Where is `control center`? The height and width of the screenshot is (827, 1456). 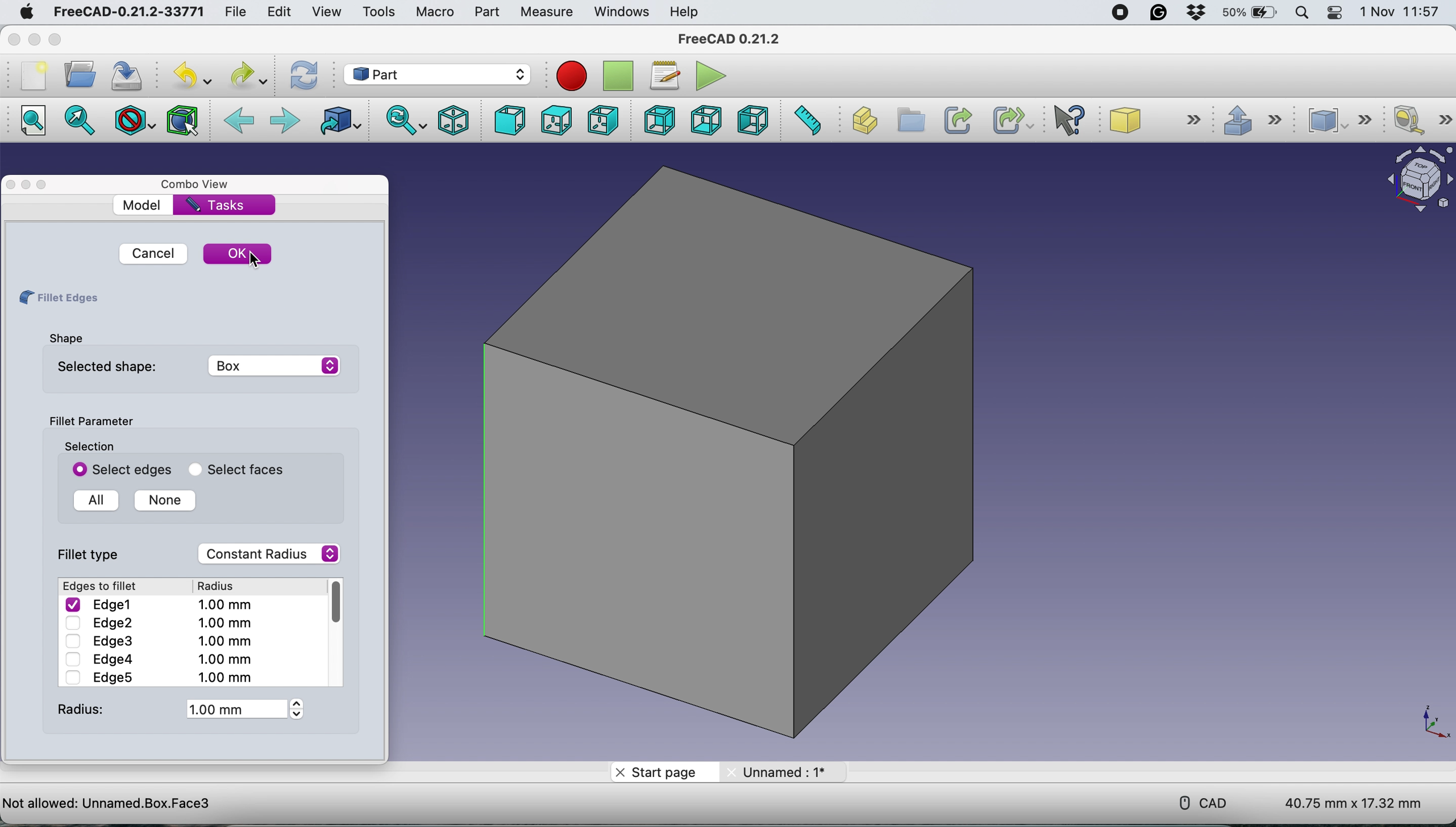
control center is located at coordinates (1336, 13).